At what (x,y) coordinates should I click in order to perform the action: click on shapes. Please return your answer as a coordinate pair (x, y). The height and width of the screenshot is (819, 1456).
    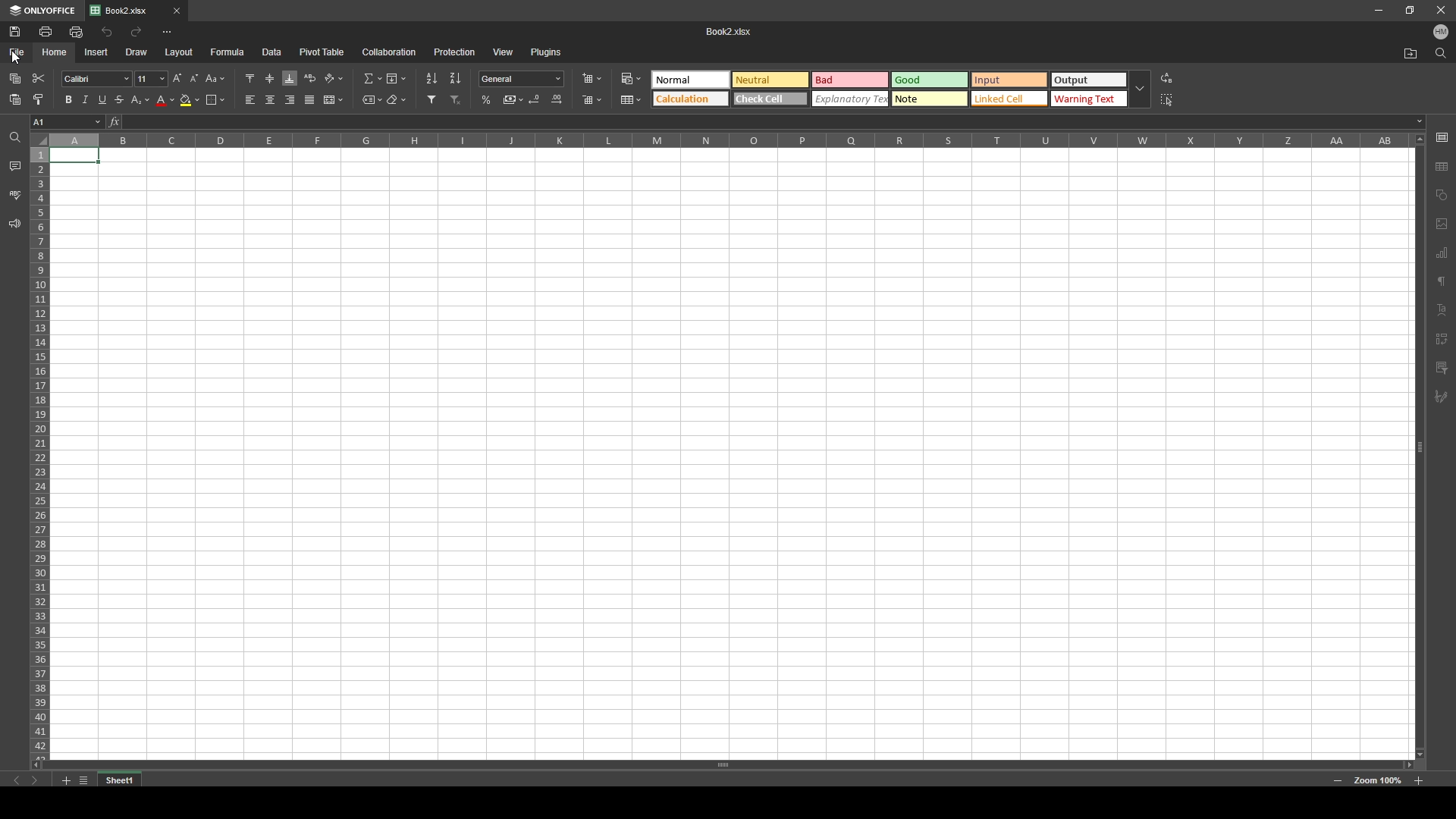
    Looking at the image, I should click on (1442, 194).